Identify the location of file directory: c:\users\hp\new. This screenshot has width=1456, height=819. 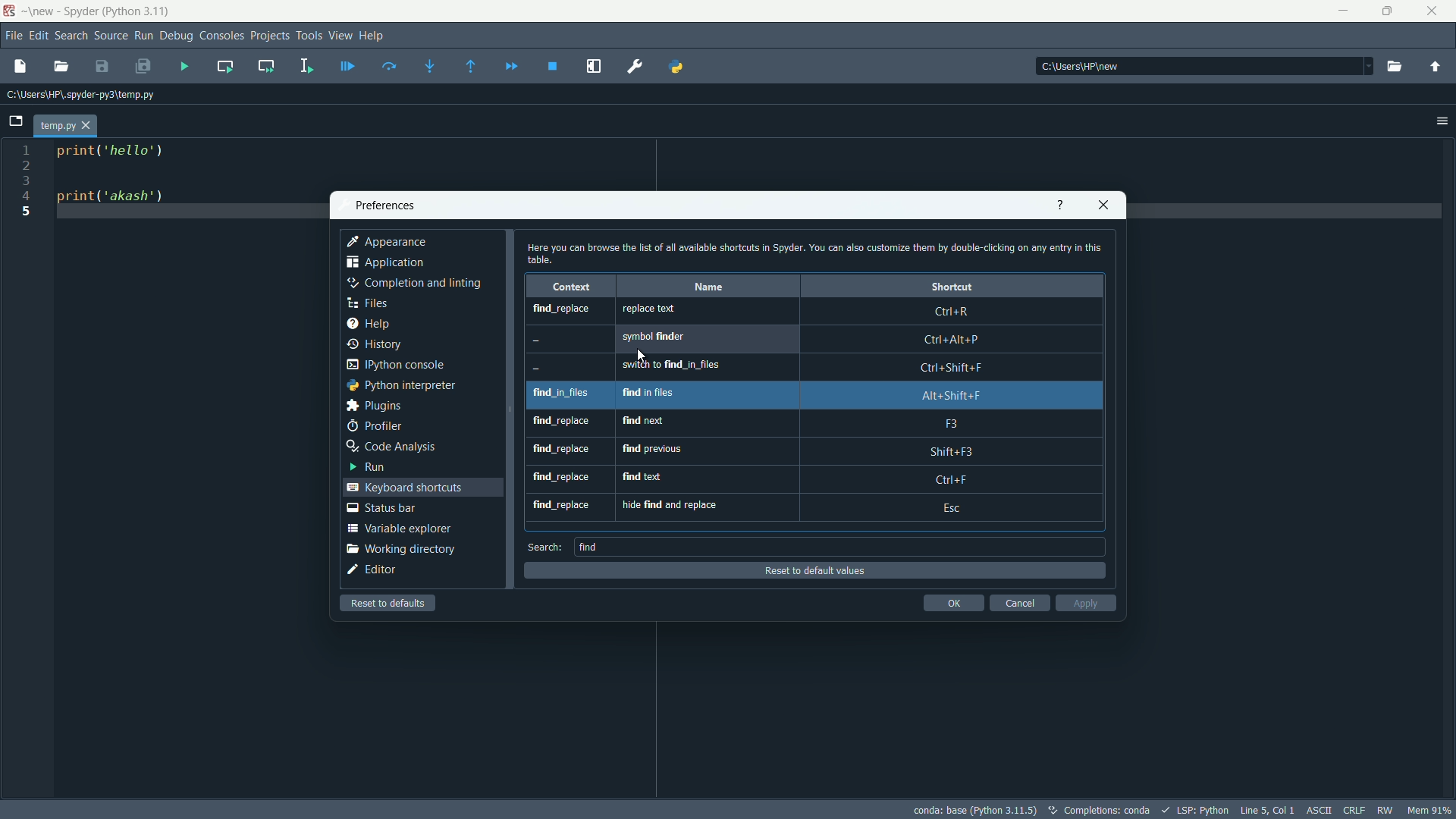
(1206, 67).